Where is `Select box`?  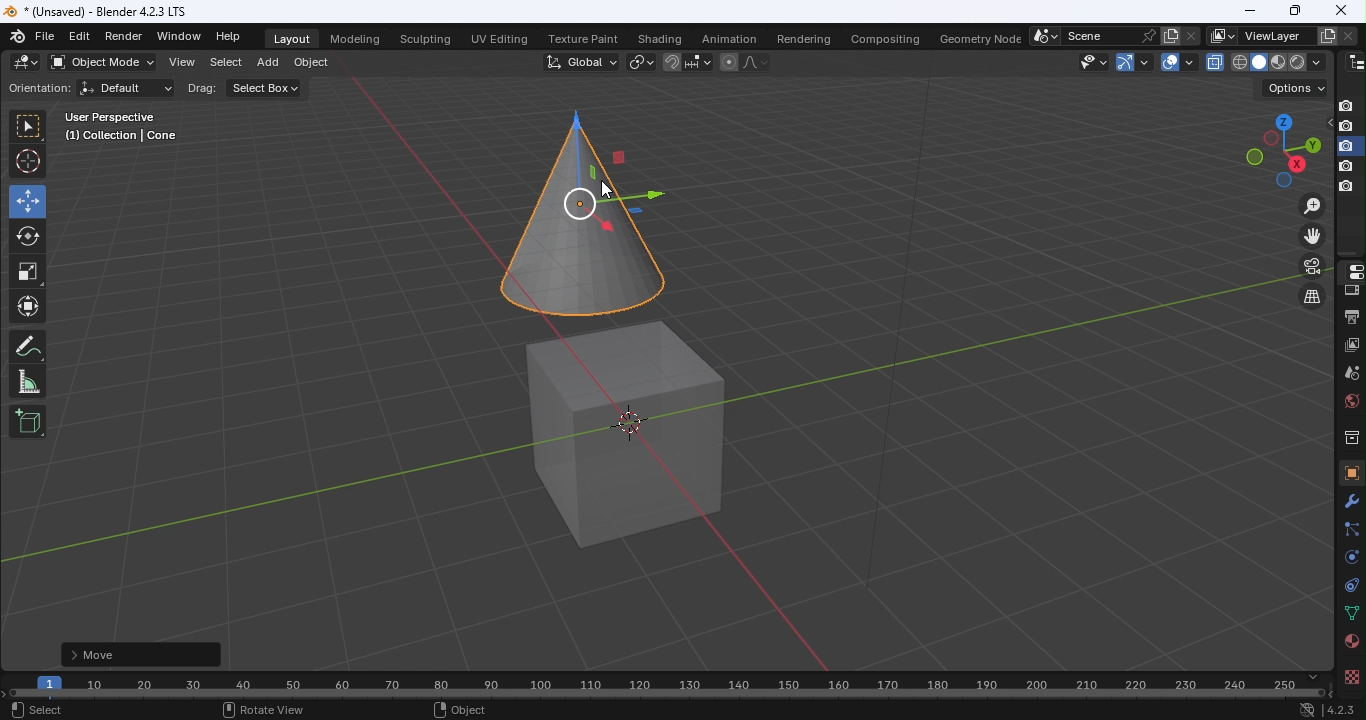 Select box is located at coordinates (266, 90).